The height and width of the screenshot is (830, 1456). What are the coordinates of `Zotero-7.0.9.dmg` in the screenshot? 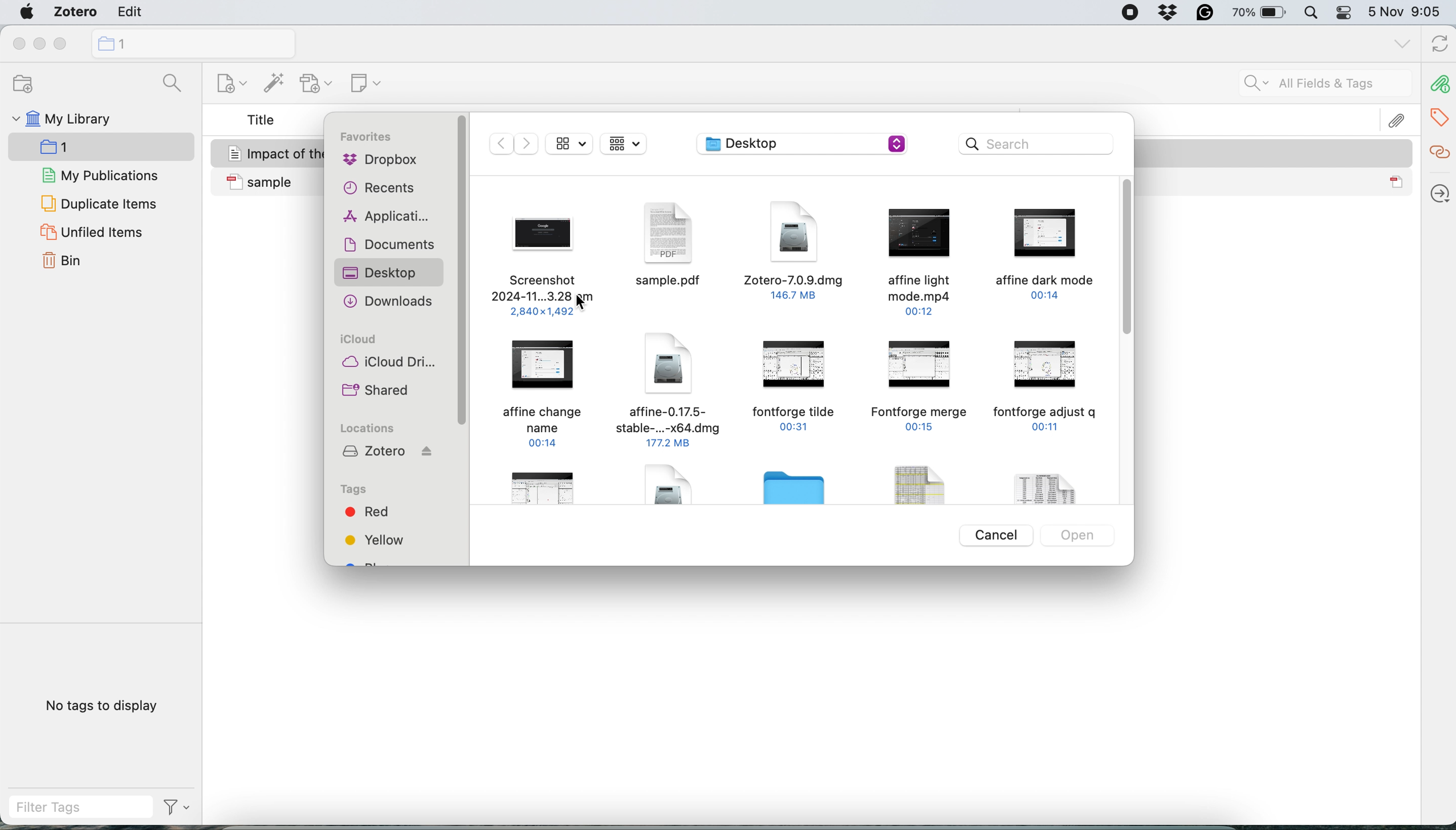 It's located at (795, 250).